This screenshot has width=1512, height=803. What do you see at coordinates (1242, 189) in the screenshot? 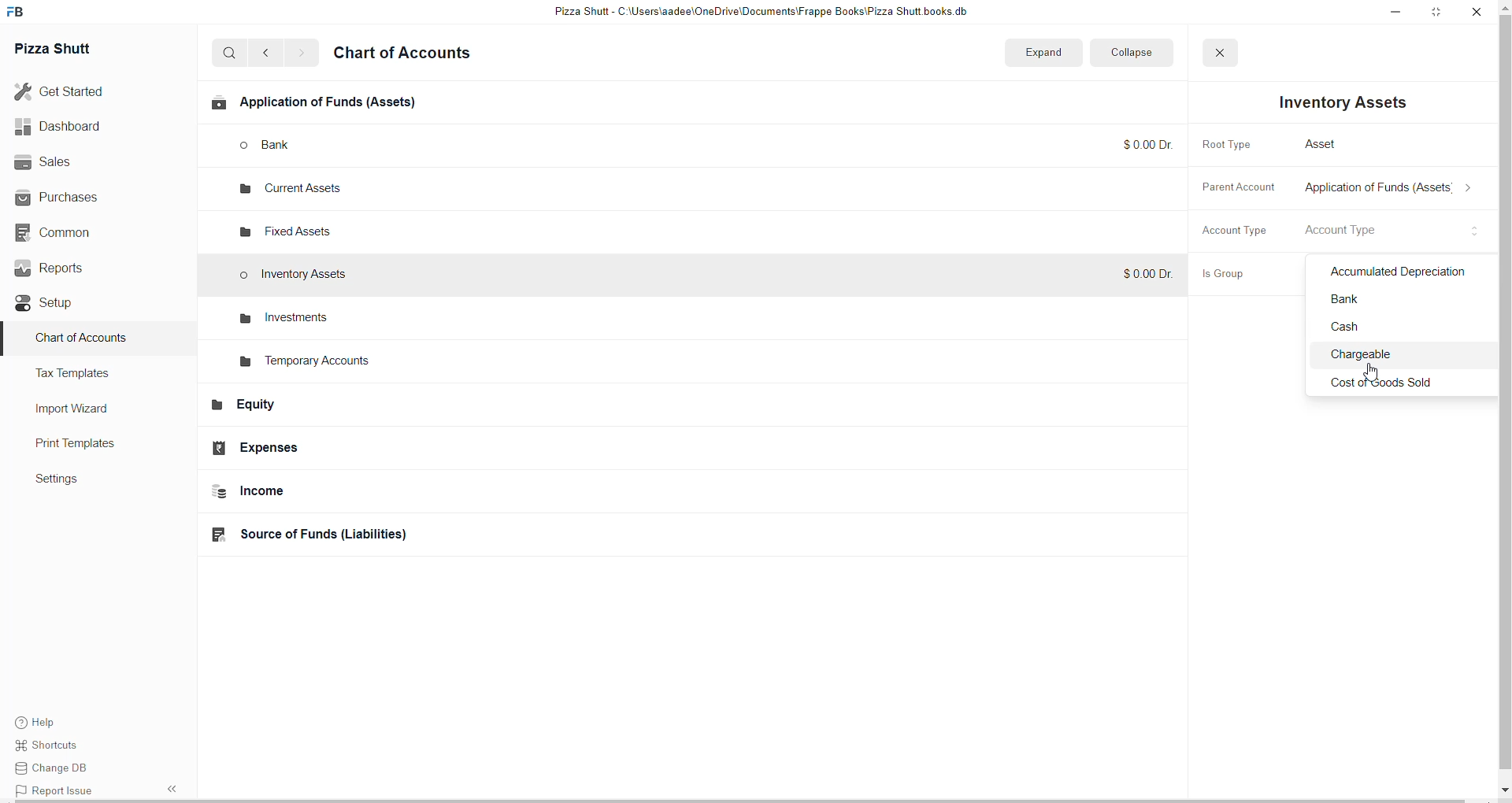
I see `Parent Account` at bounding box center [1242, 189].